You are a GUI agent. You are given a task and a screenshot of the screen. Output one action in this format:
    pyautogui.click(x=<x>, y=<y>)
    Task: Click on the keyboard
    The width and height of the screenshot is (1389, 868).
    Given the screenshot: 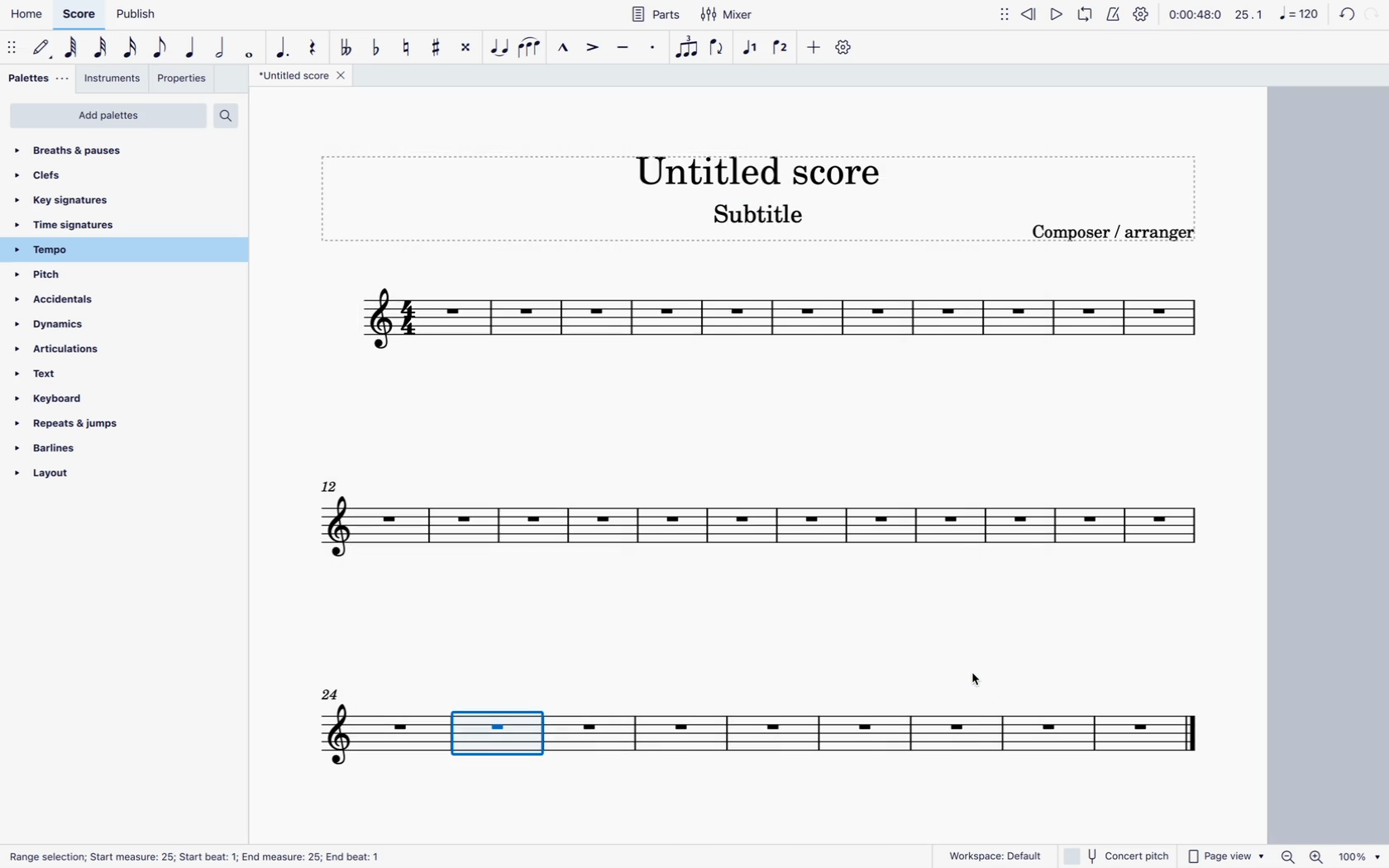 What is the action you would take?
    pyautogui.click(x=61, y=398)
    